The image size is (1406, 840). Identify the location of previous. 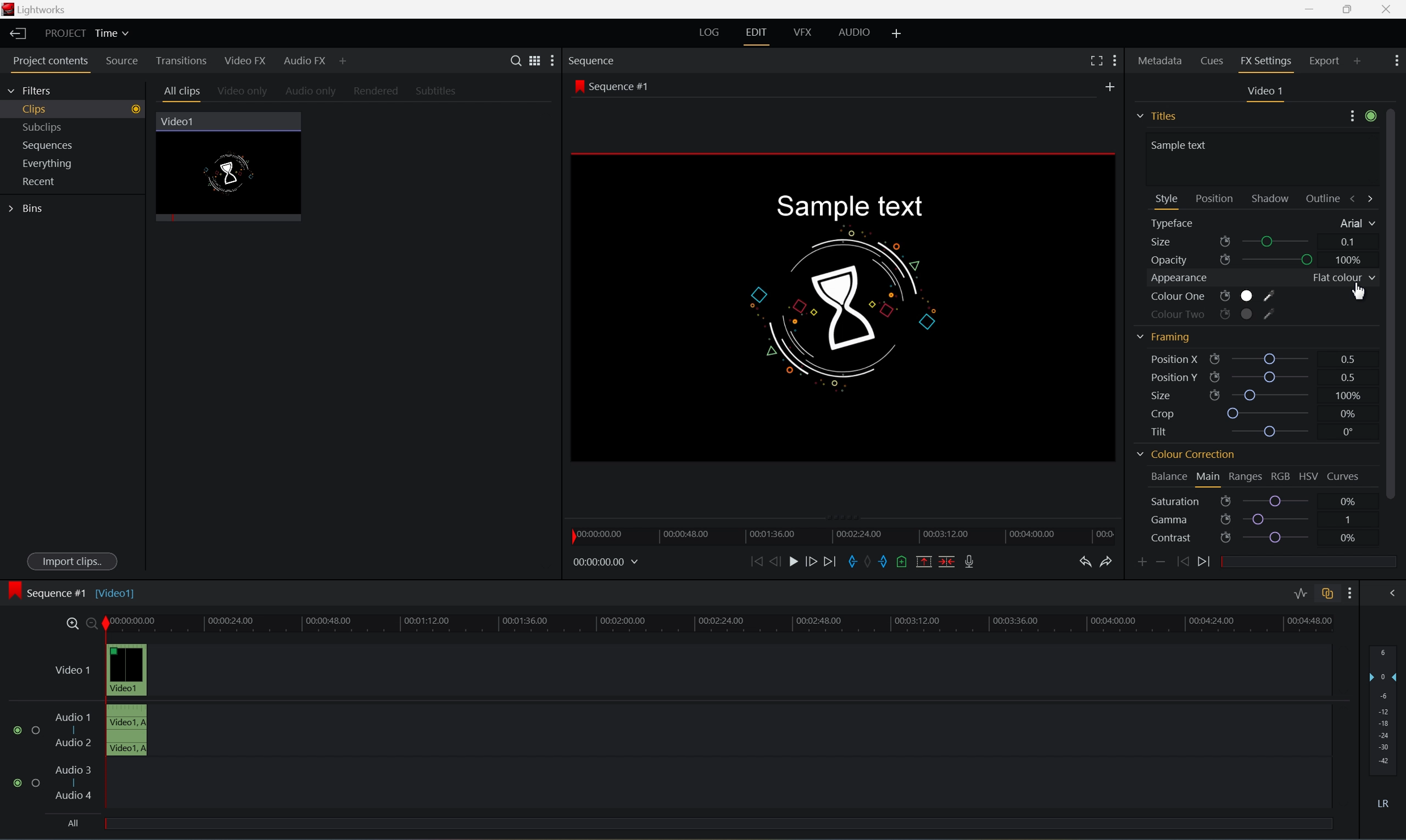
(1181, 561).